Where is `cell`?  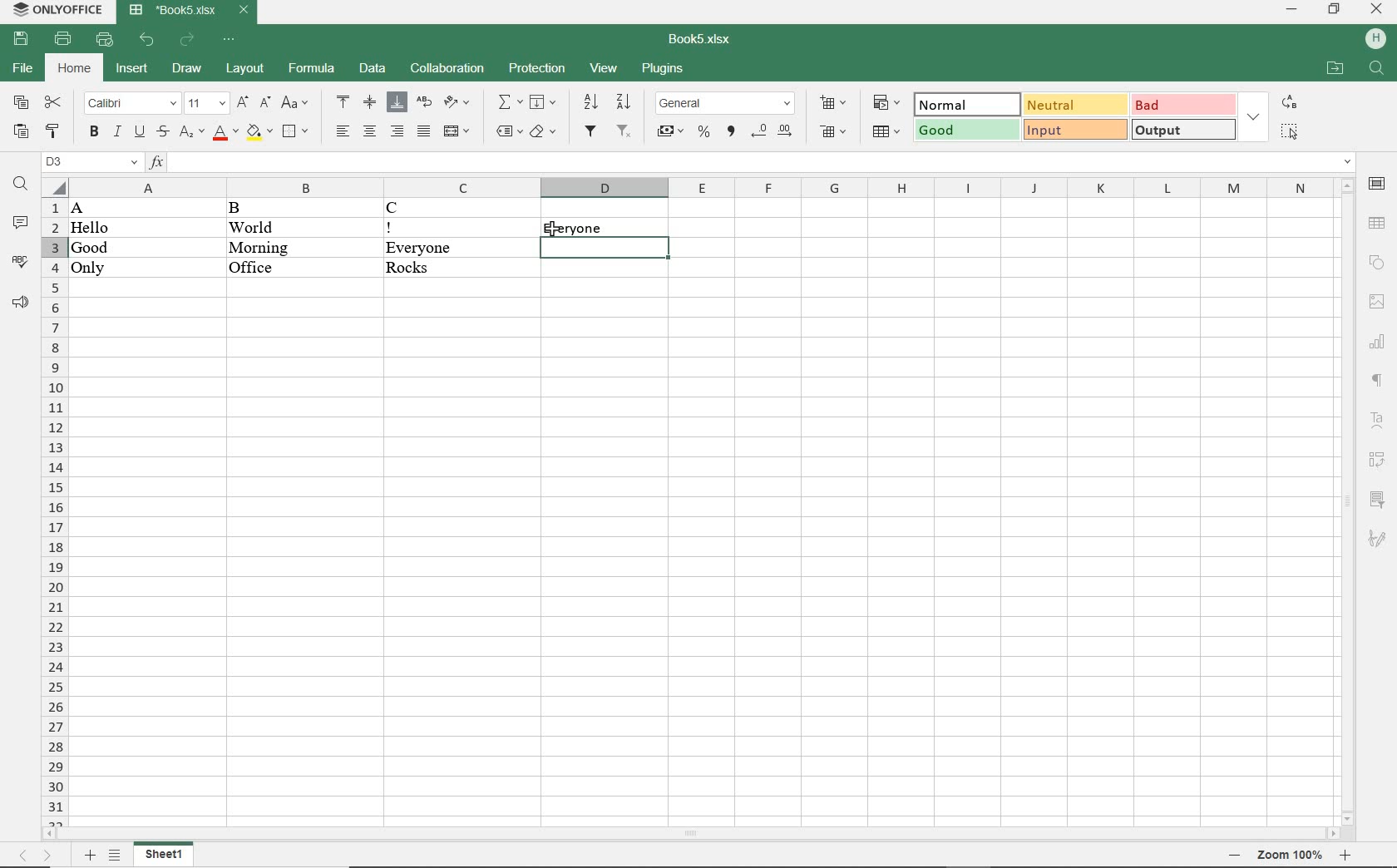 cell is located at coordinates (605, 248).